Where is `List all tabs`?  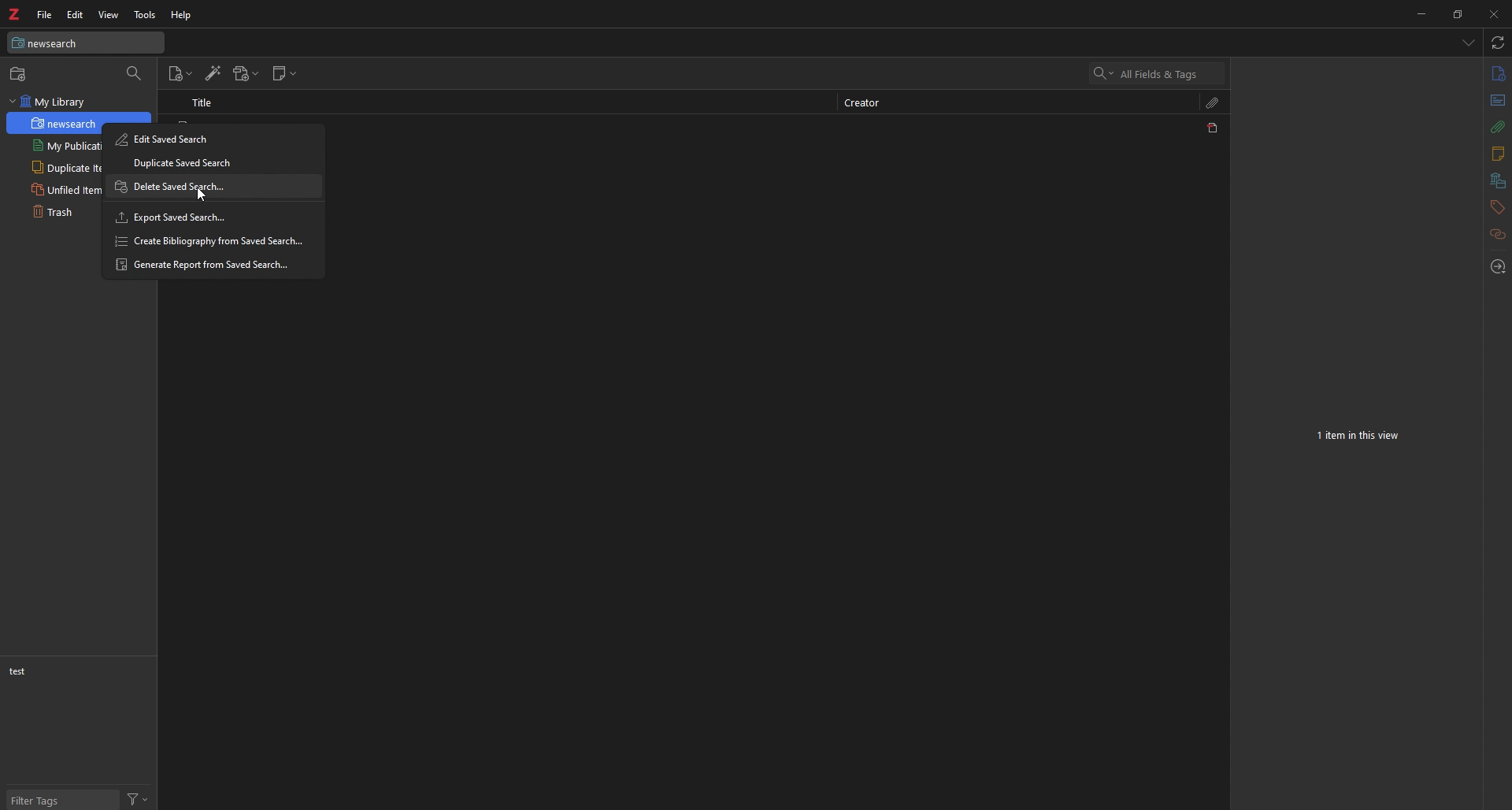 List all tabs is located at coordinates (1466, 40).